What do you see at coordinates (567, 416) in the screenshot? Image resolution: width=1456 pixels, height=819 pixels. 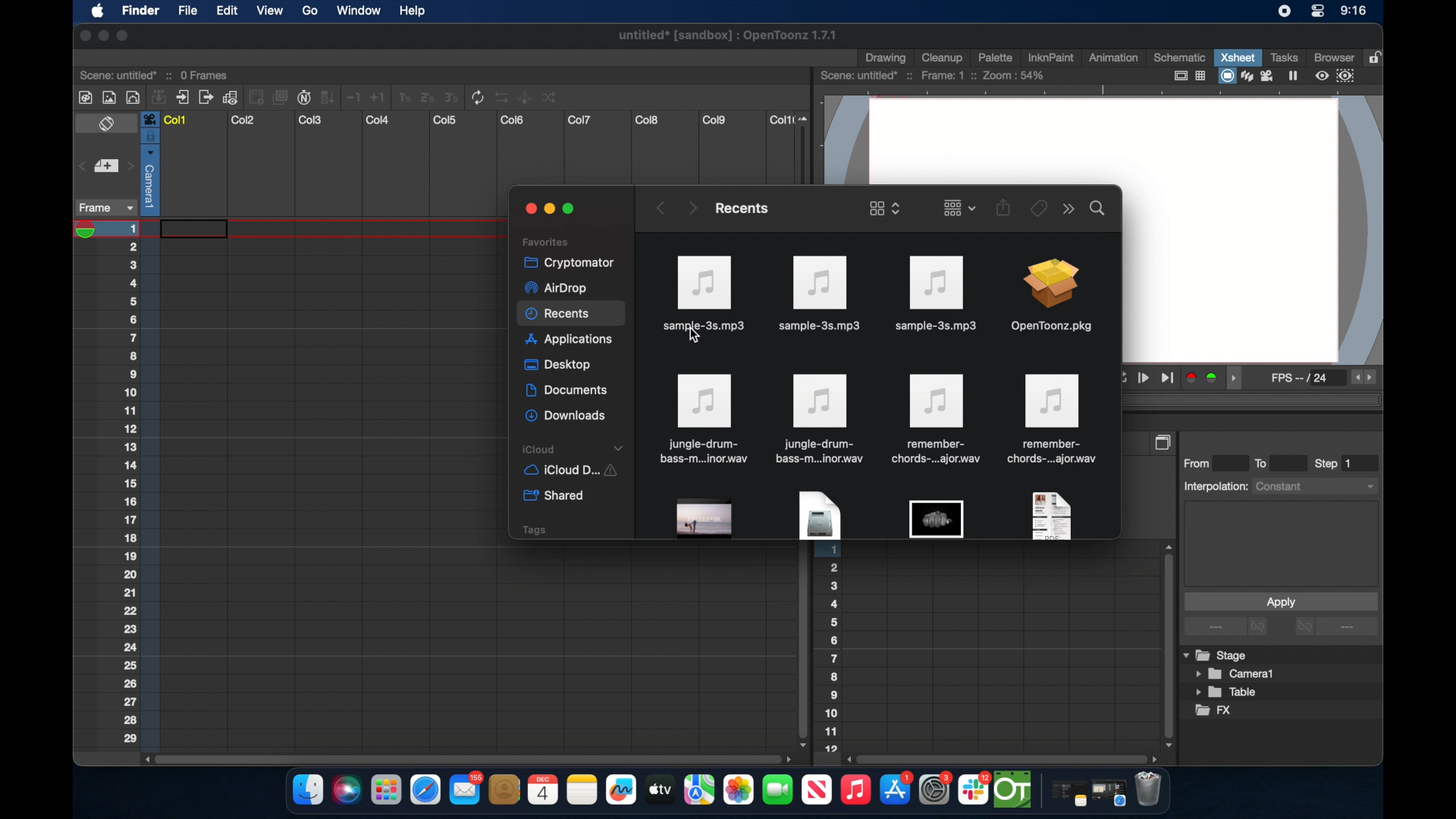 I see `downloads` at bounding box center [567, 416].